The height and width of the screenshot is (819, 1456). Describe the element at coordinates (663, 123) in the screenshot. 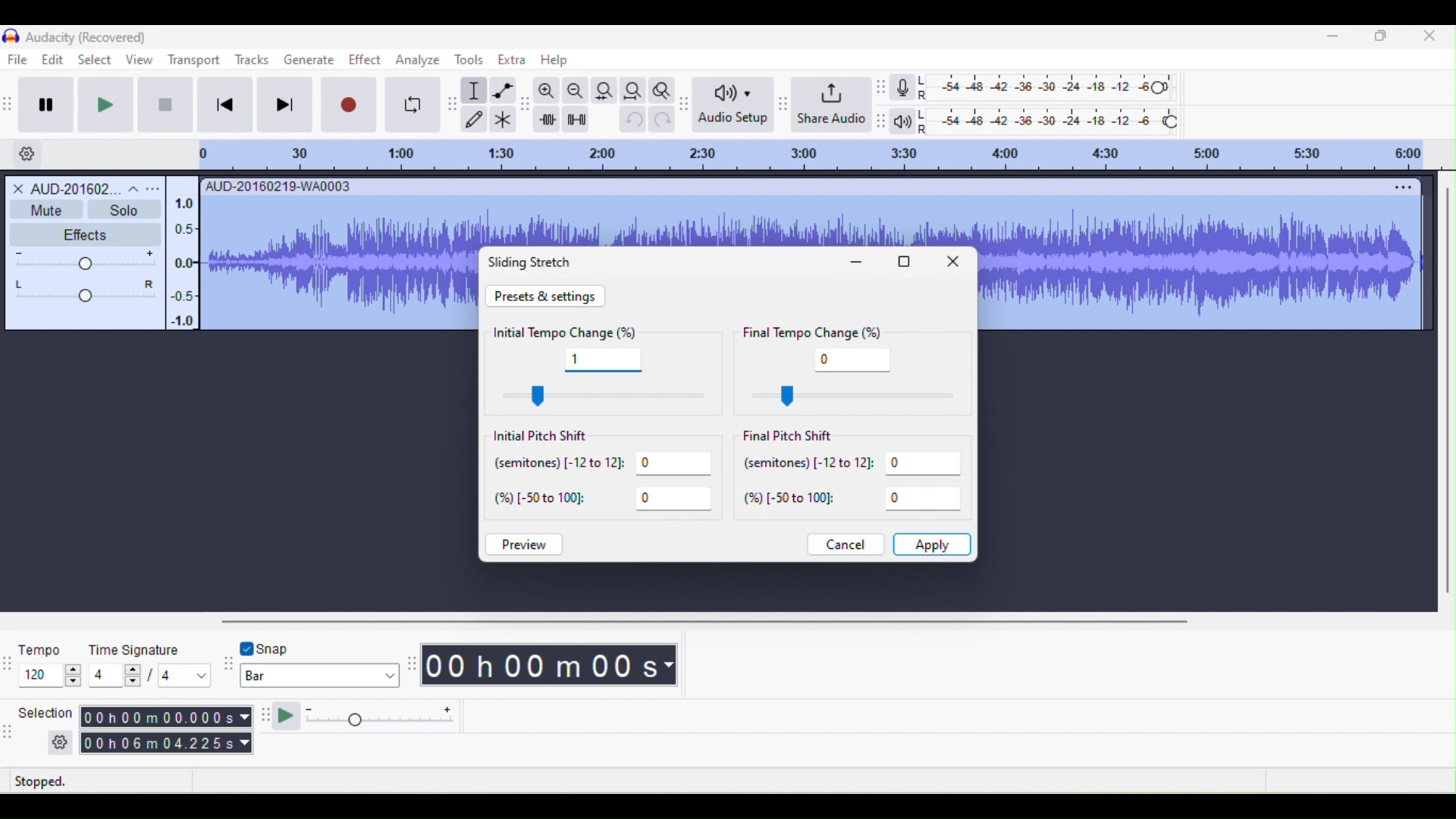

I see `redo` at that location.